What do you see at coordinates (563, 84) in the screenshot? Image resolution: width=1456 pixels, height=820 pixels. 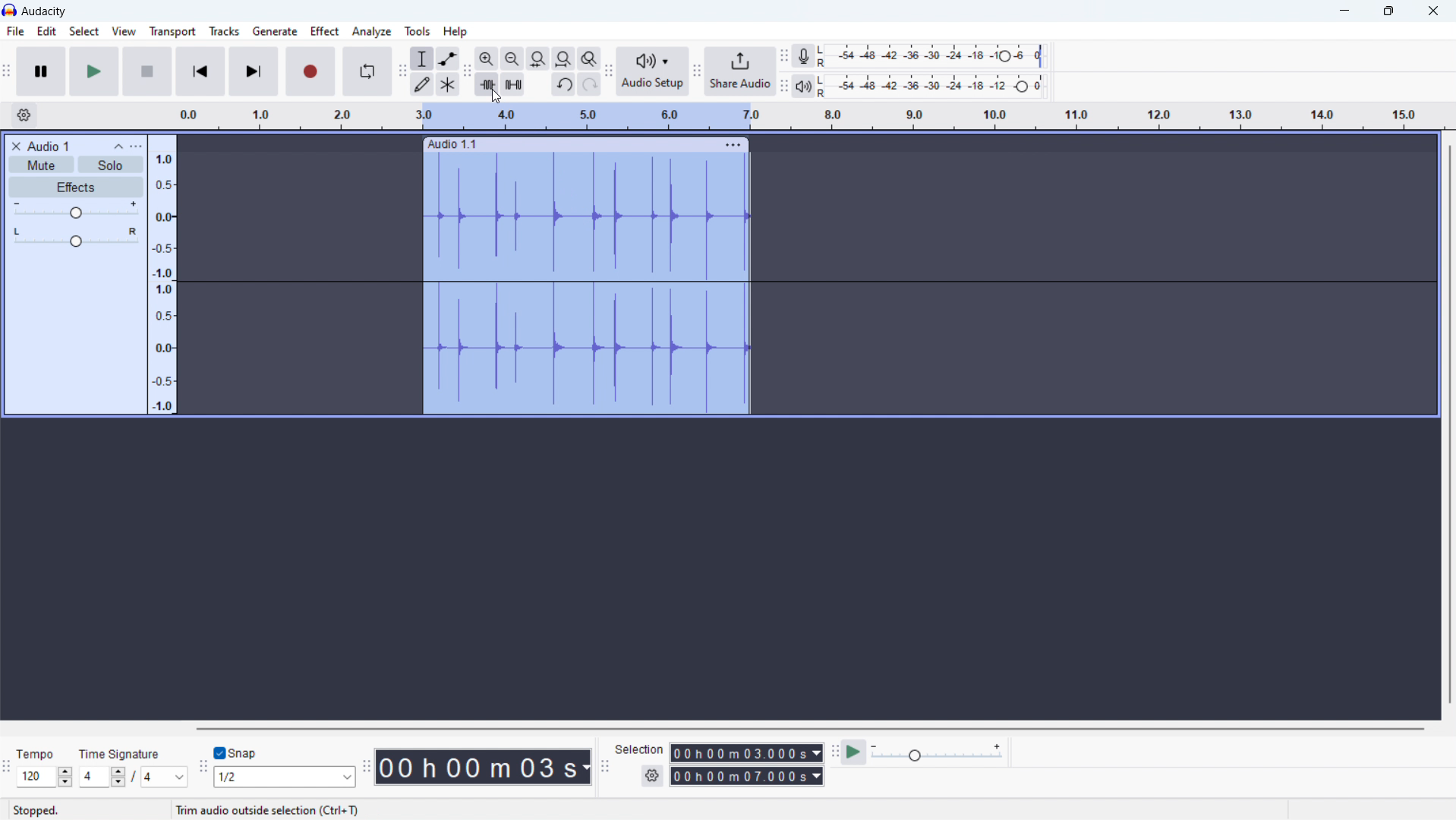 I see `undo` at bounding box center [563, 84].